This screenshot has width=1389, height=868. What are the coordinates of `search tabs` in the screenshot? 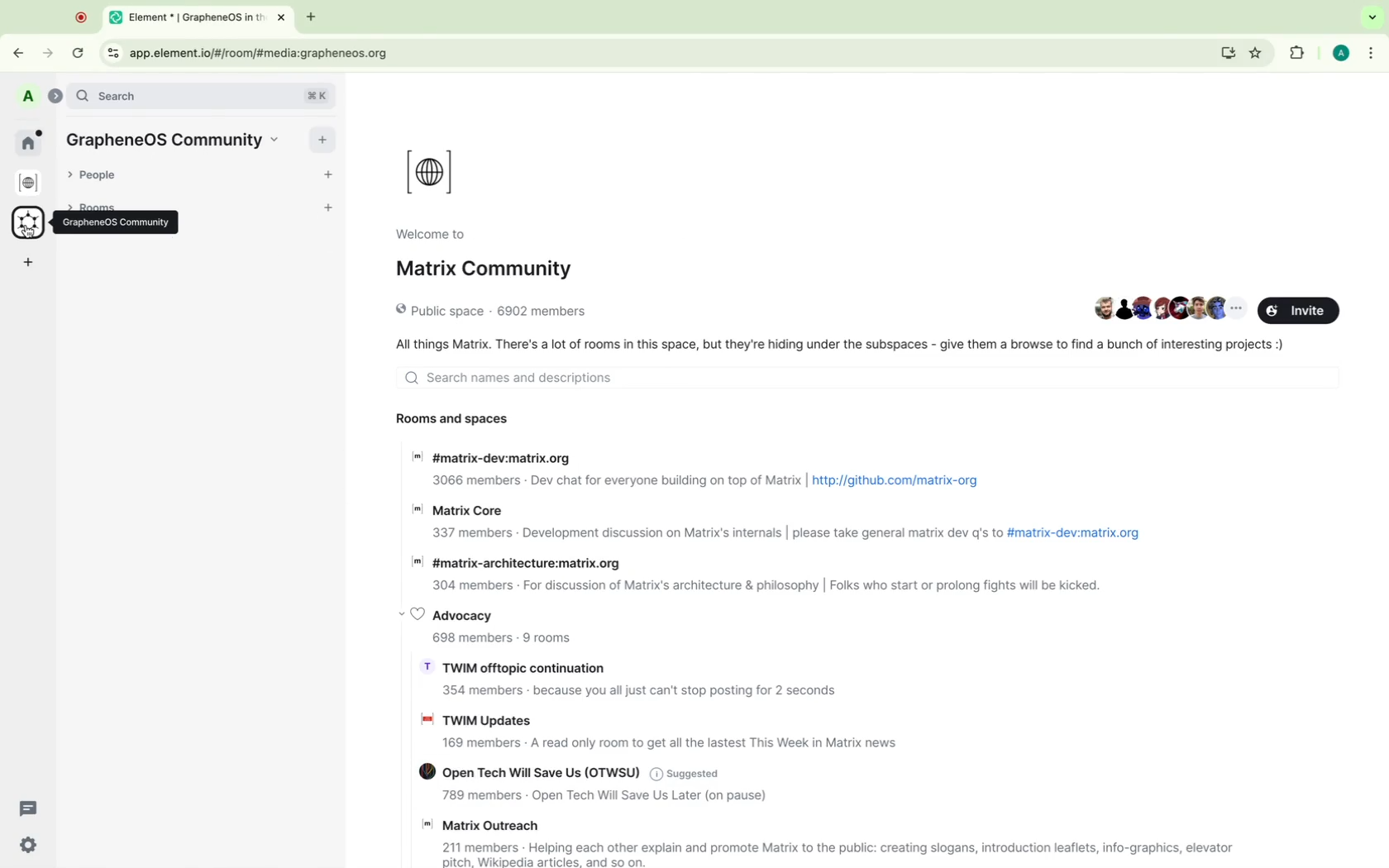 It's located at (1368, 17).